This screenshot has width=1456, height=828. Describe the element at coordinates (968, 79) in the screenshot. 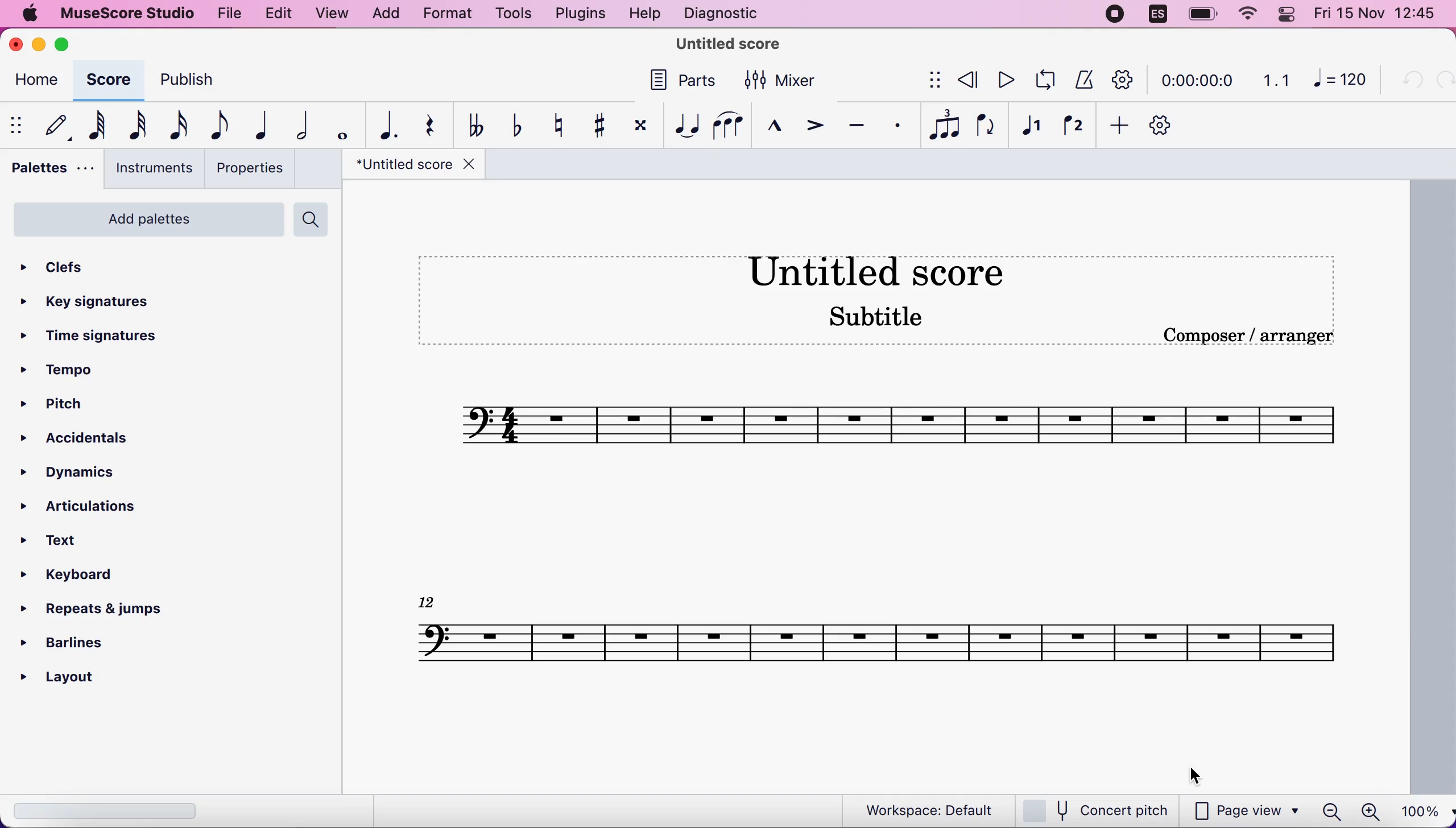

I see `review` at that location.